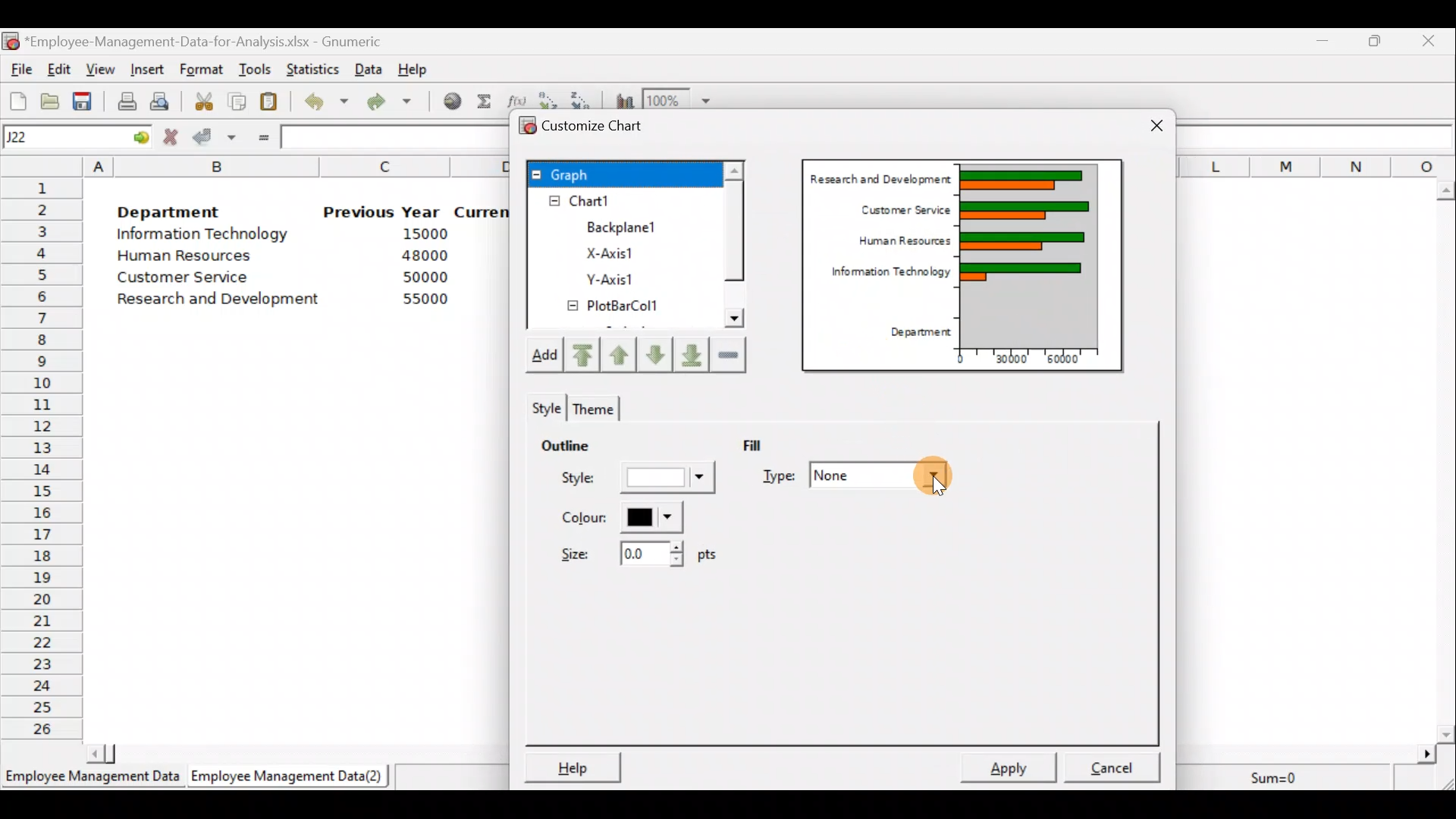  What do you see at coordinates (623, 518) in the screenshot?
I see `Color` at bounding box center [623, 518].